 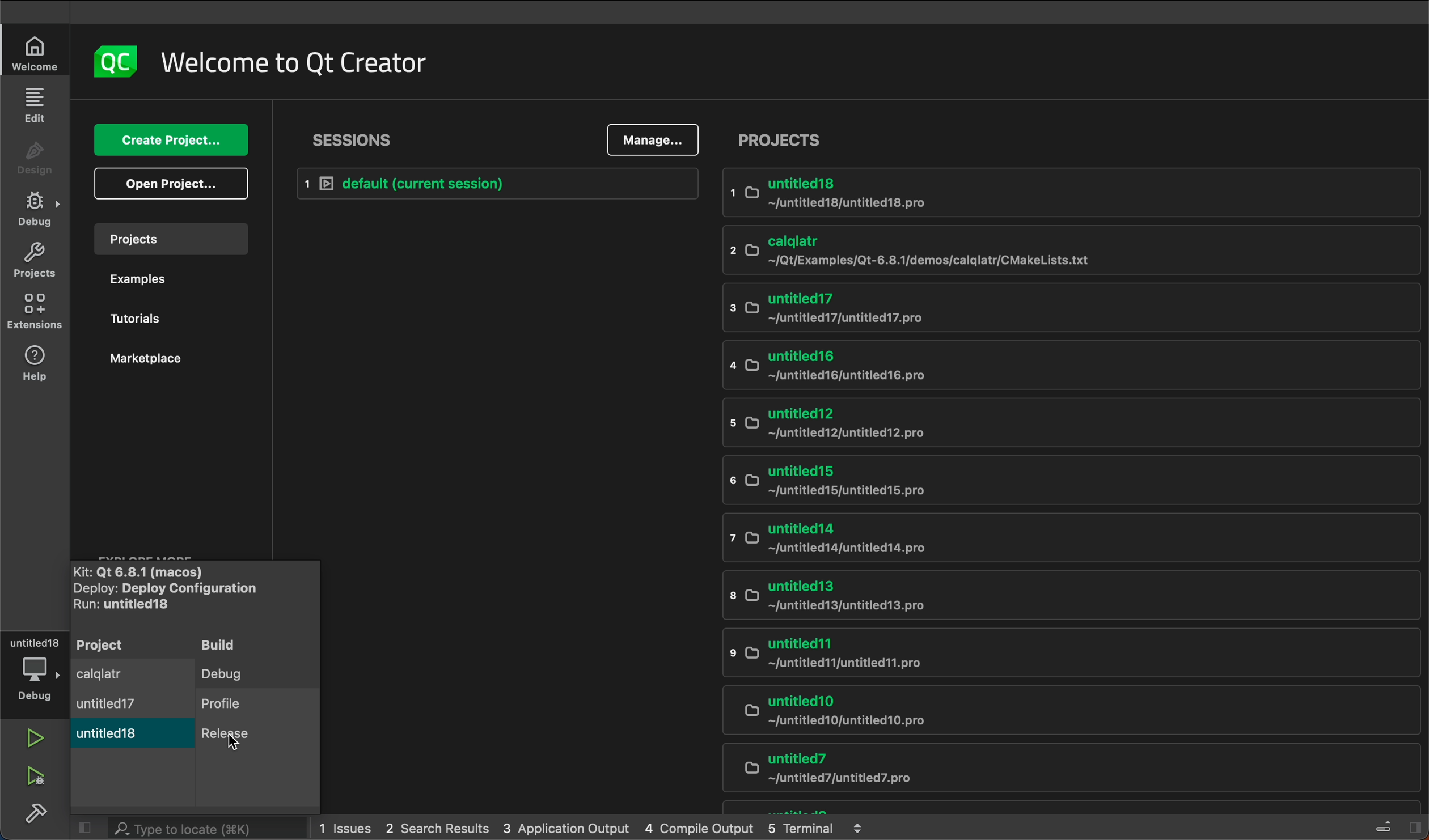 What do you see at coordinates (986, 309) in the screenshot?
I see `untitled17` at bounding box center [986, 309].